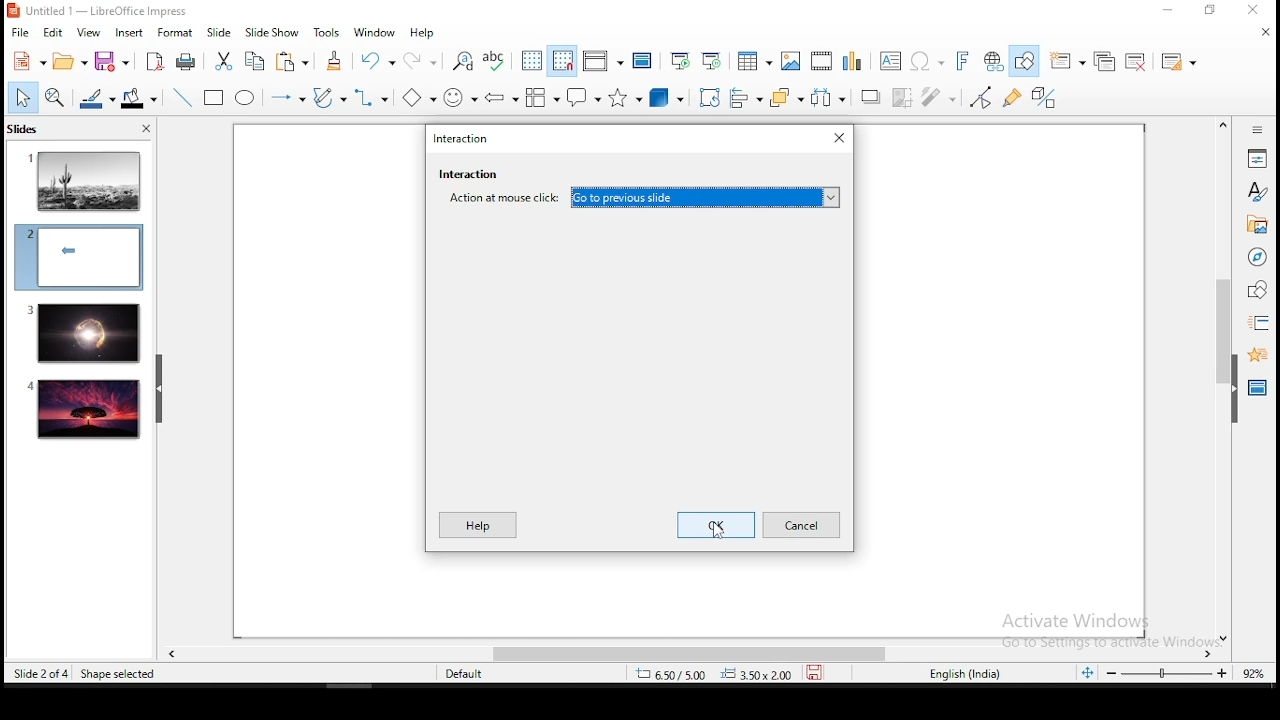 The height and width of the screenshot is (720, 1280). What do you see at coordinates (640, 198) in the screenshot?
I see `action at mouse click` at bounding box center [640, 198].